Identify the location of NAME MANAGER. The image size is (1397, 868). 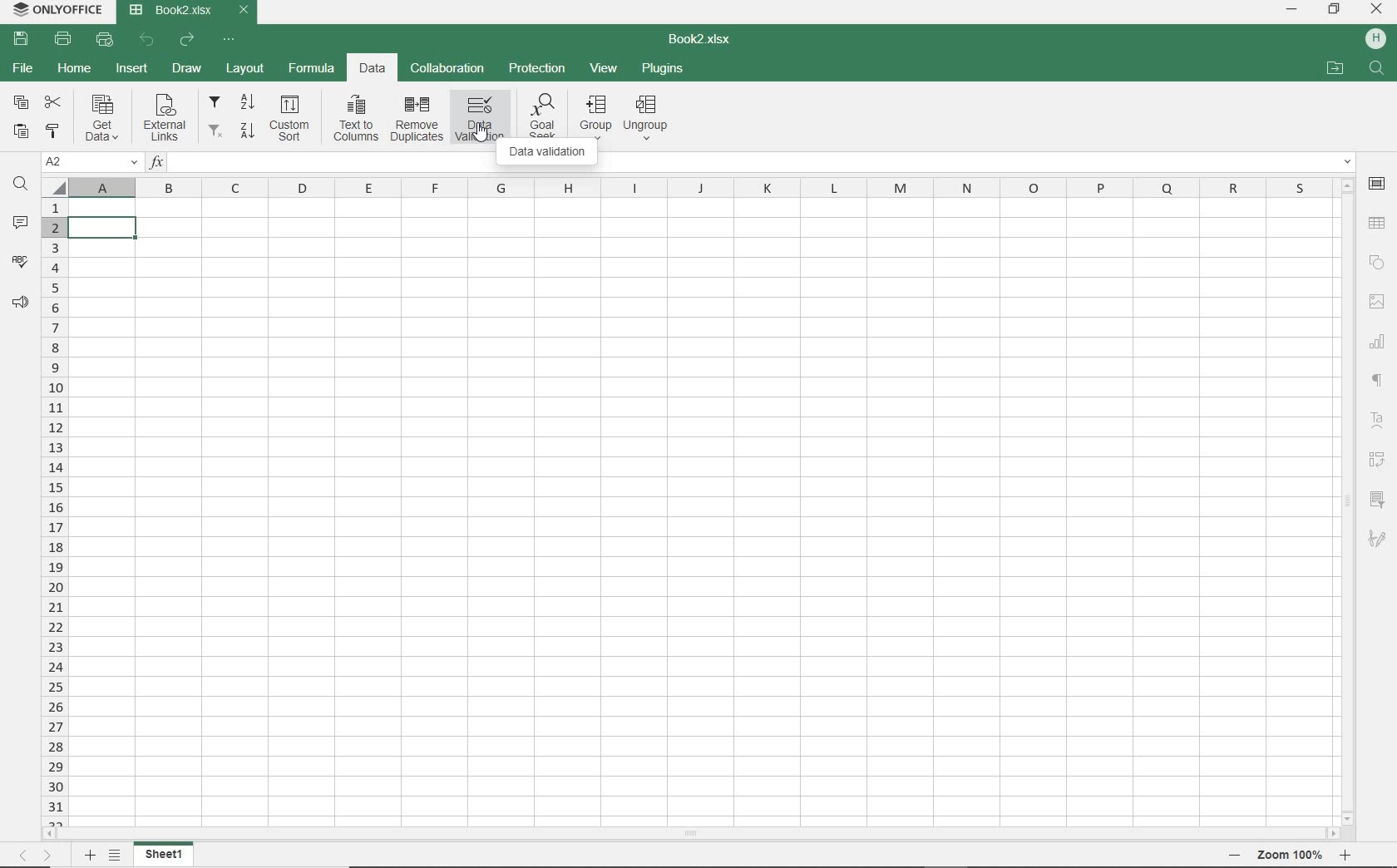
(90, 163).